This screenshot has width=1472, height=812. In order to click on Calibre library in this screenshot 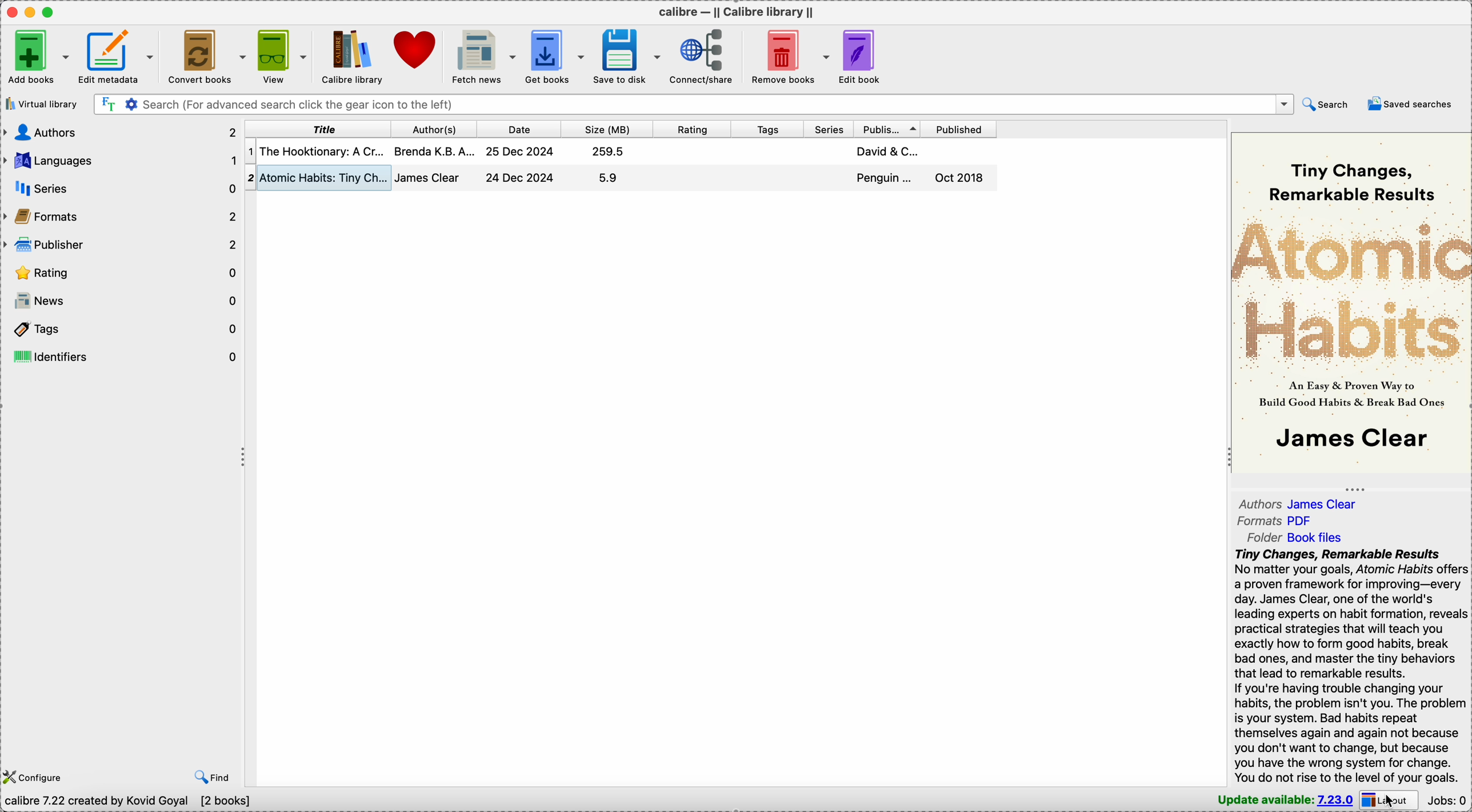, I will do `click(354, 57)`.